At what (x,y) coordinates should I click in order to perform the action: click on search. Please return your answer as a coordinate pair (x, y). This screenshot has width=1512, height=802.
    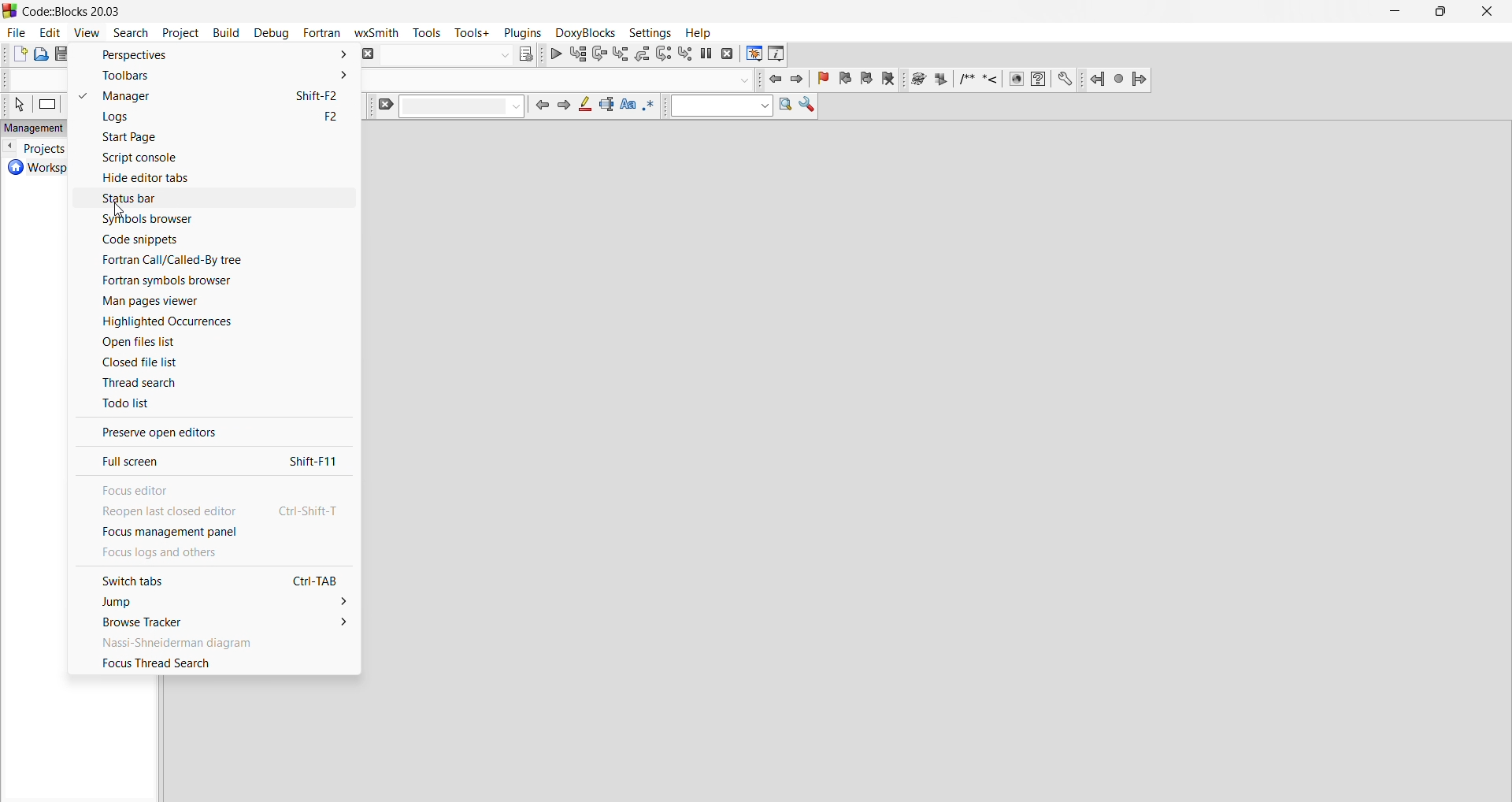
    Looking at the image, I should click on (130, 33).